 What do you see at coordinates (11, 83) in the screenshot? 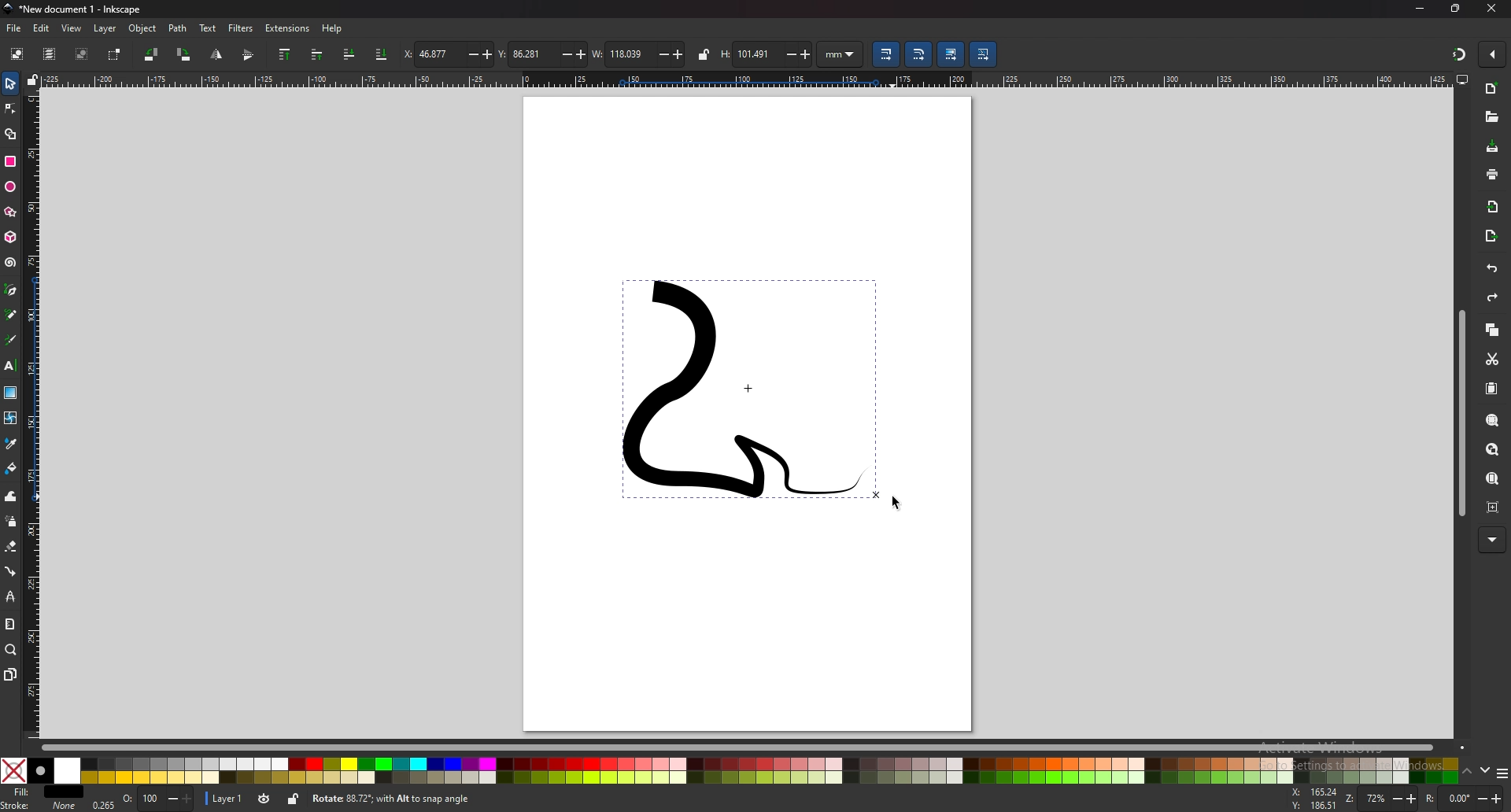
I see `selector` at bounding box center [11, 83].